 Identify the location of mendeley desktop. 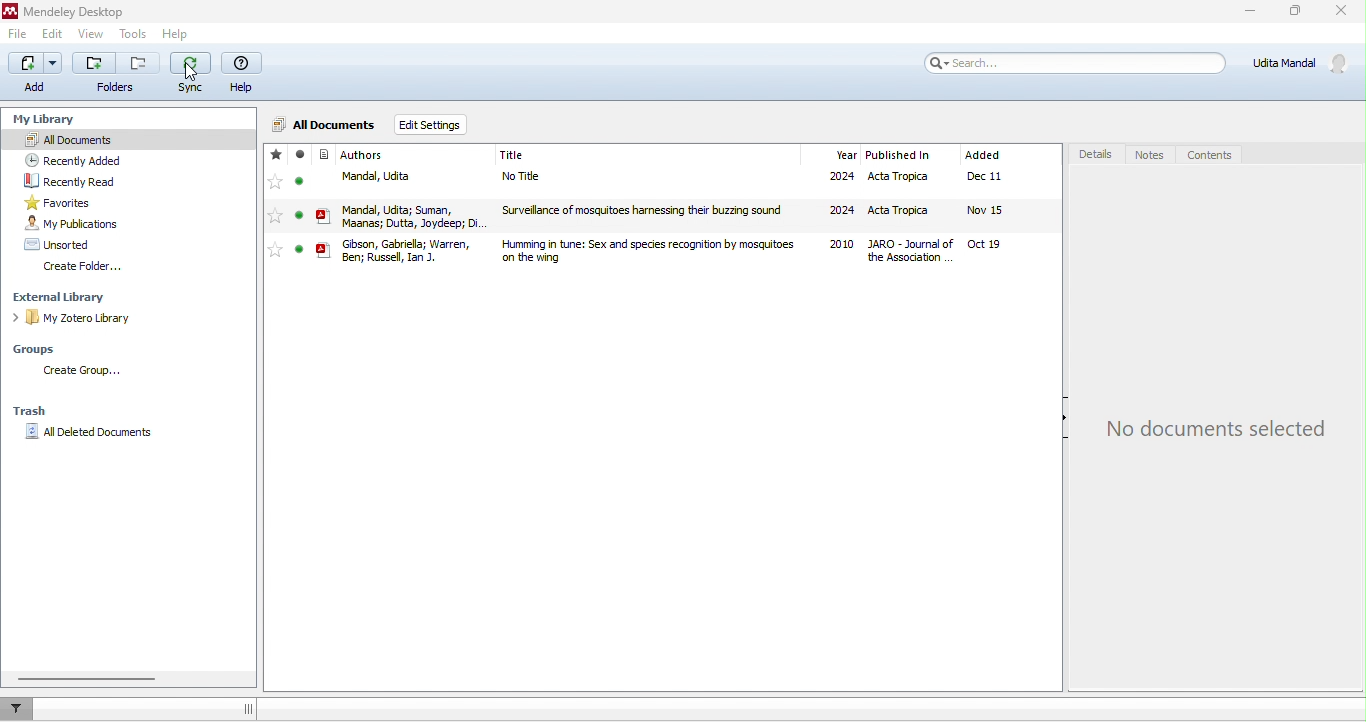
(73, 10).